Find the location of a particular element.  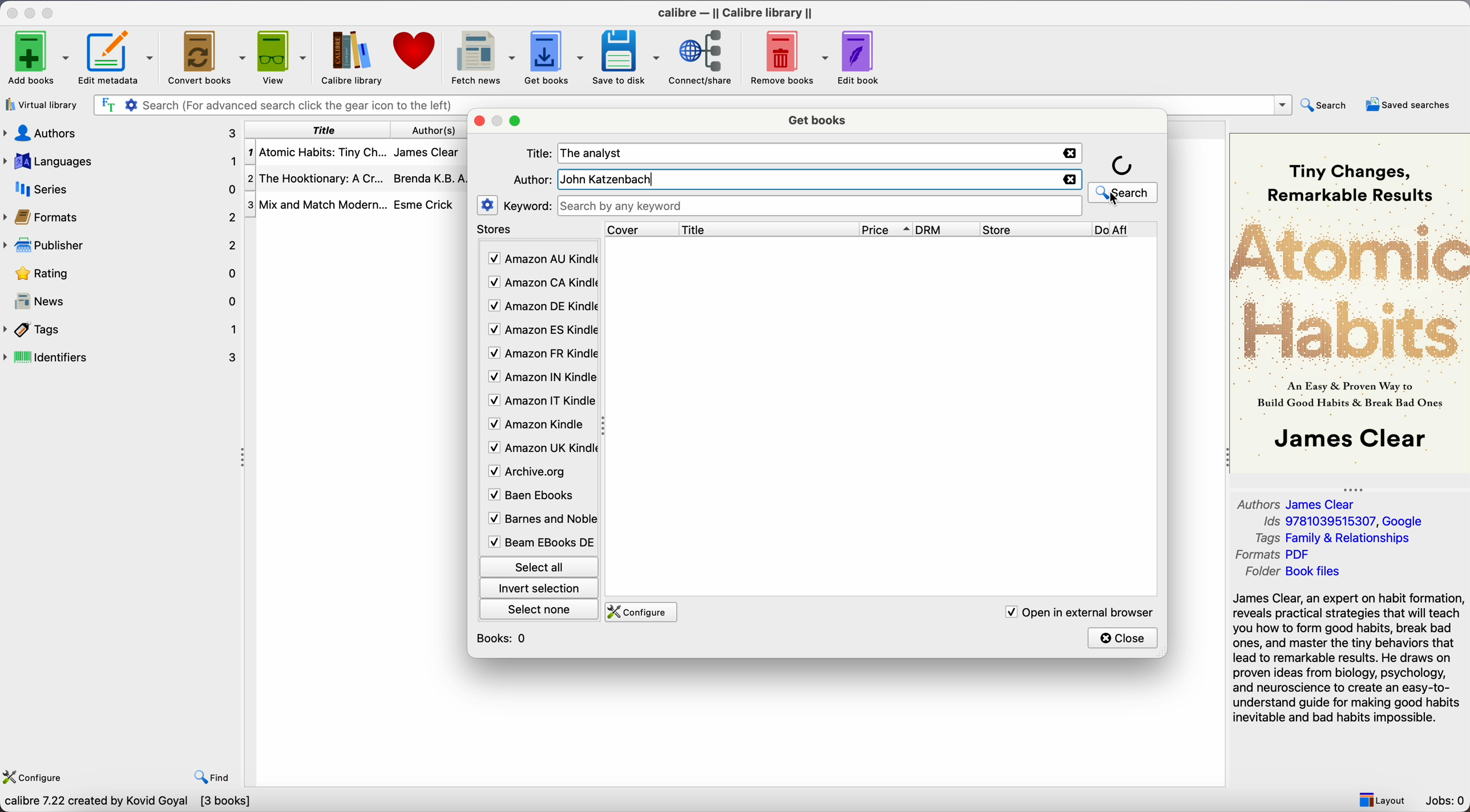

click on get books is located at coordinates (551, 58).